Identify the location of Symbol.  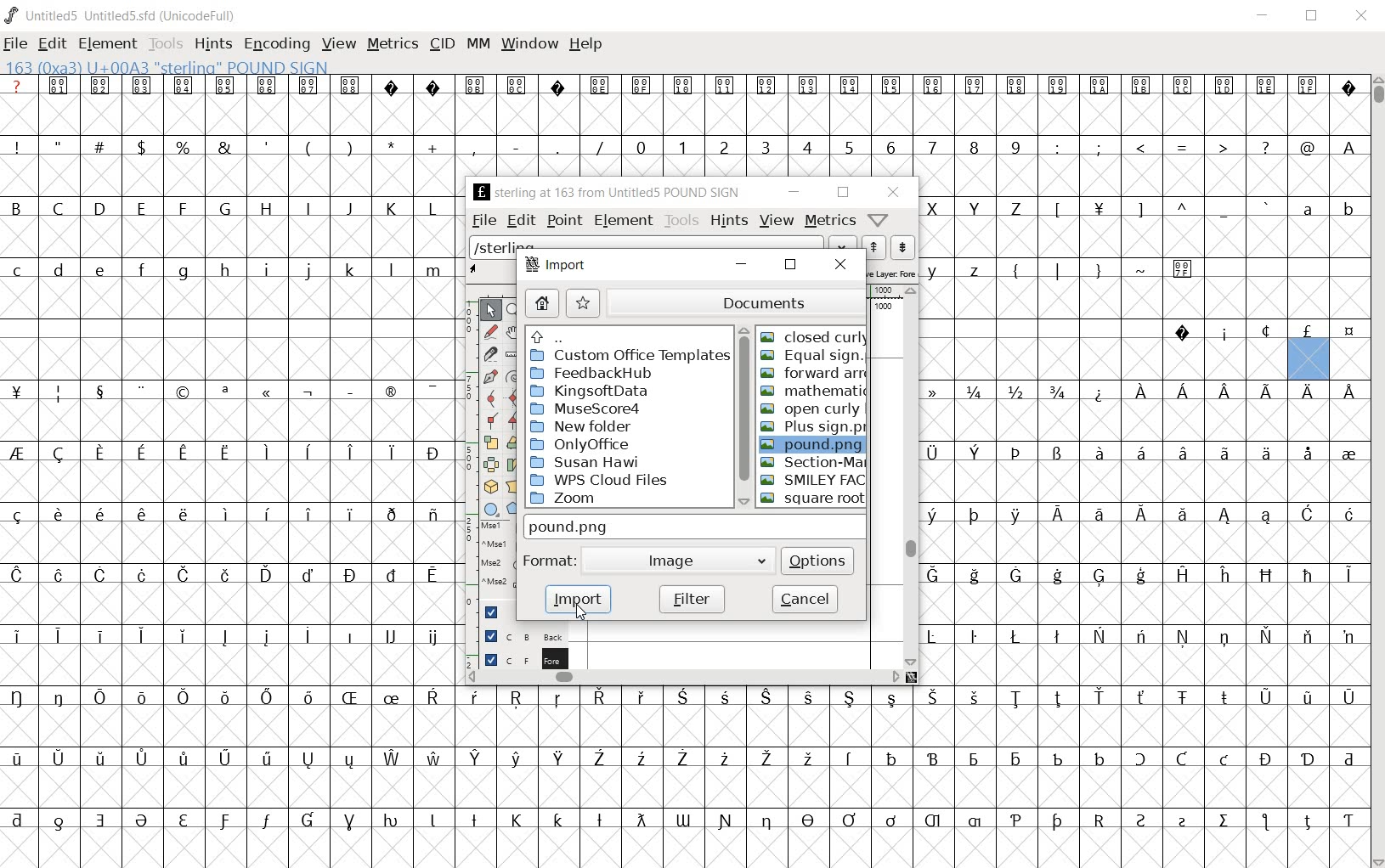
(268, 85).